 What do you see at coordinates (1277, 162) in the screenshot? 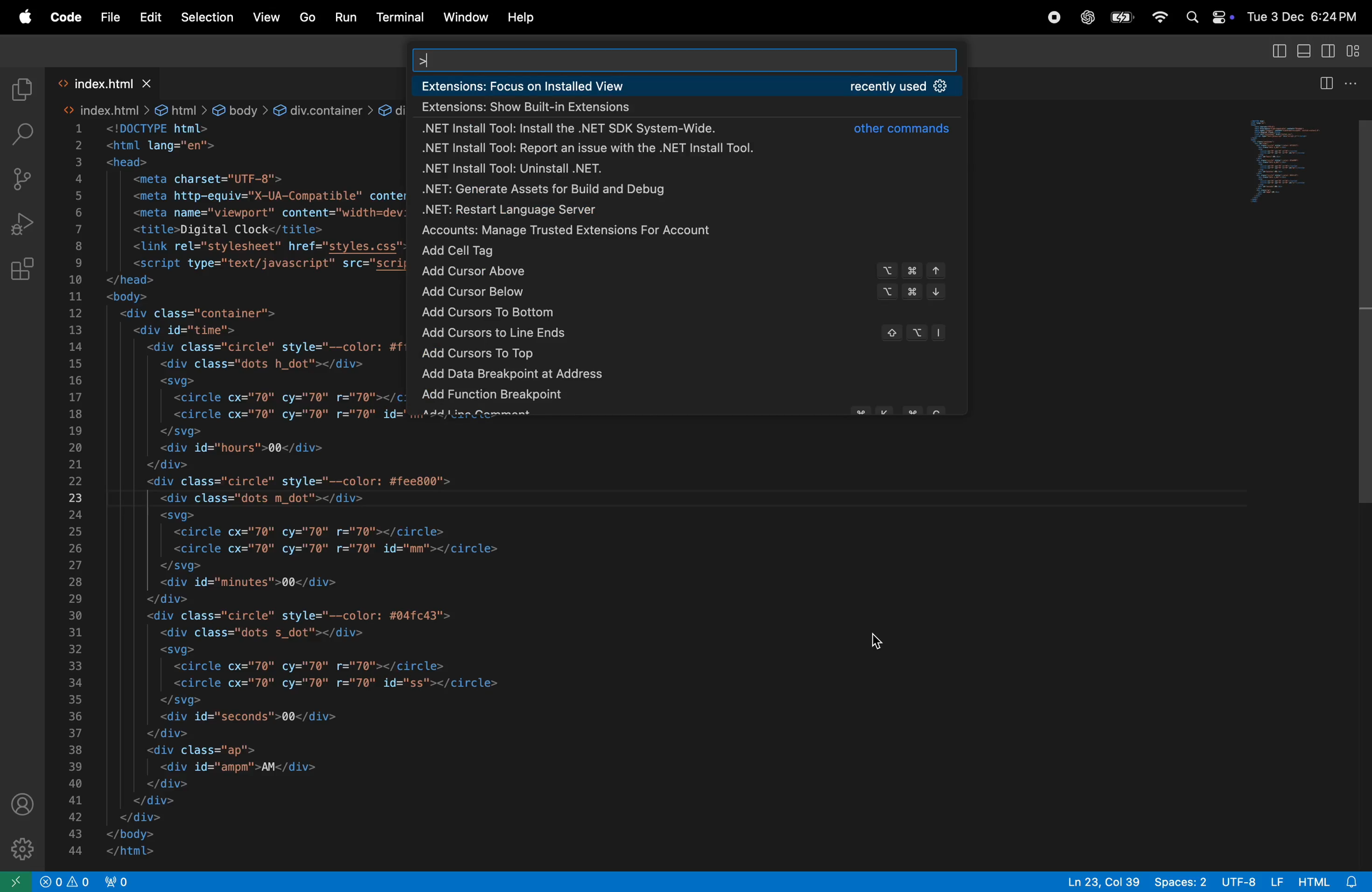
I see `preview window` at bounding box center [1277, 162].